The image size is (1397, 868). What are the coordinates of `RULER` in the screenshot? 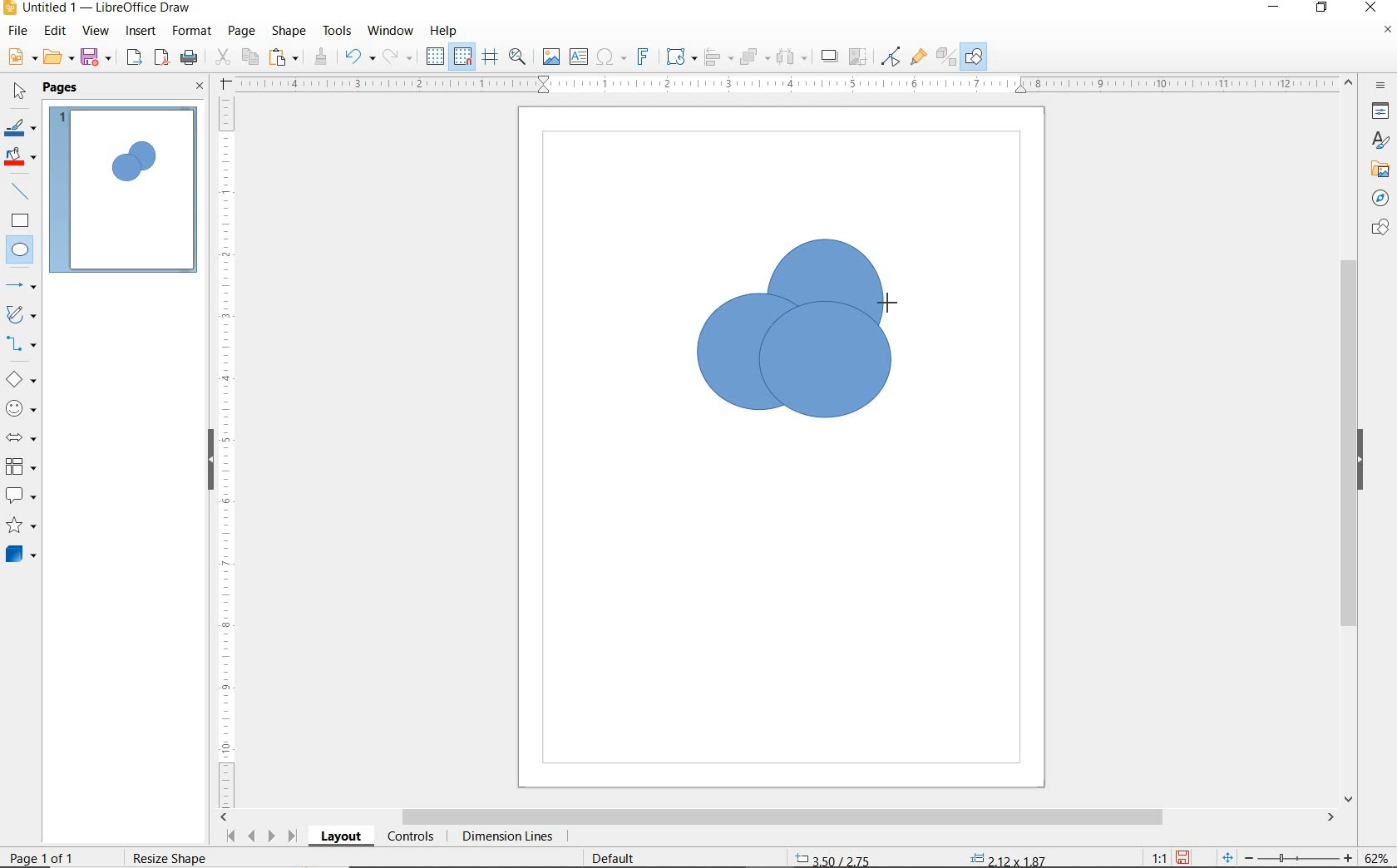 It's located at (228, 450).